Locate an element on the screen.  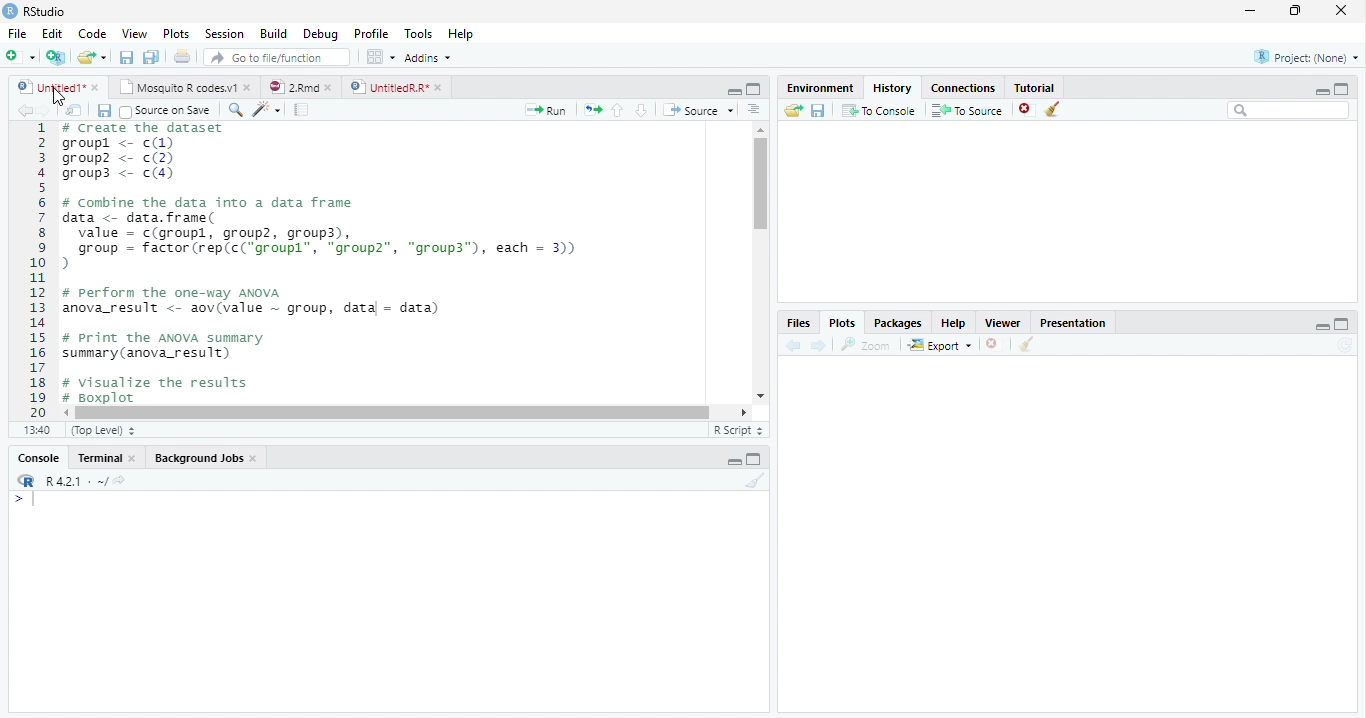
Print  the current file is located at coordinates (183, 57).